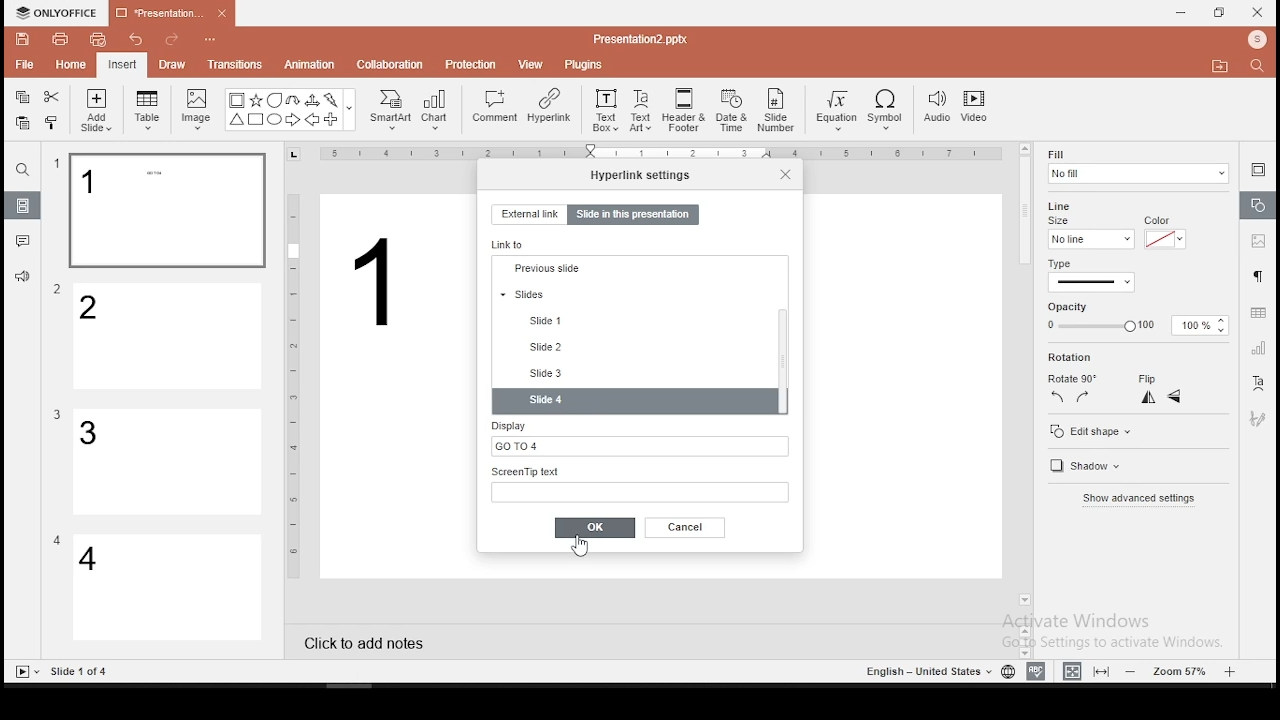 This screenshot has width=1280, height=720. I want to click on , so click(57, 540).